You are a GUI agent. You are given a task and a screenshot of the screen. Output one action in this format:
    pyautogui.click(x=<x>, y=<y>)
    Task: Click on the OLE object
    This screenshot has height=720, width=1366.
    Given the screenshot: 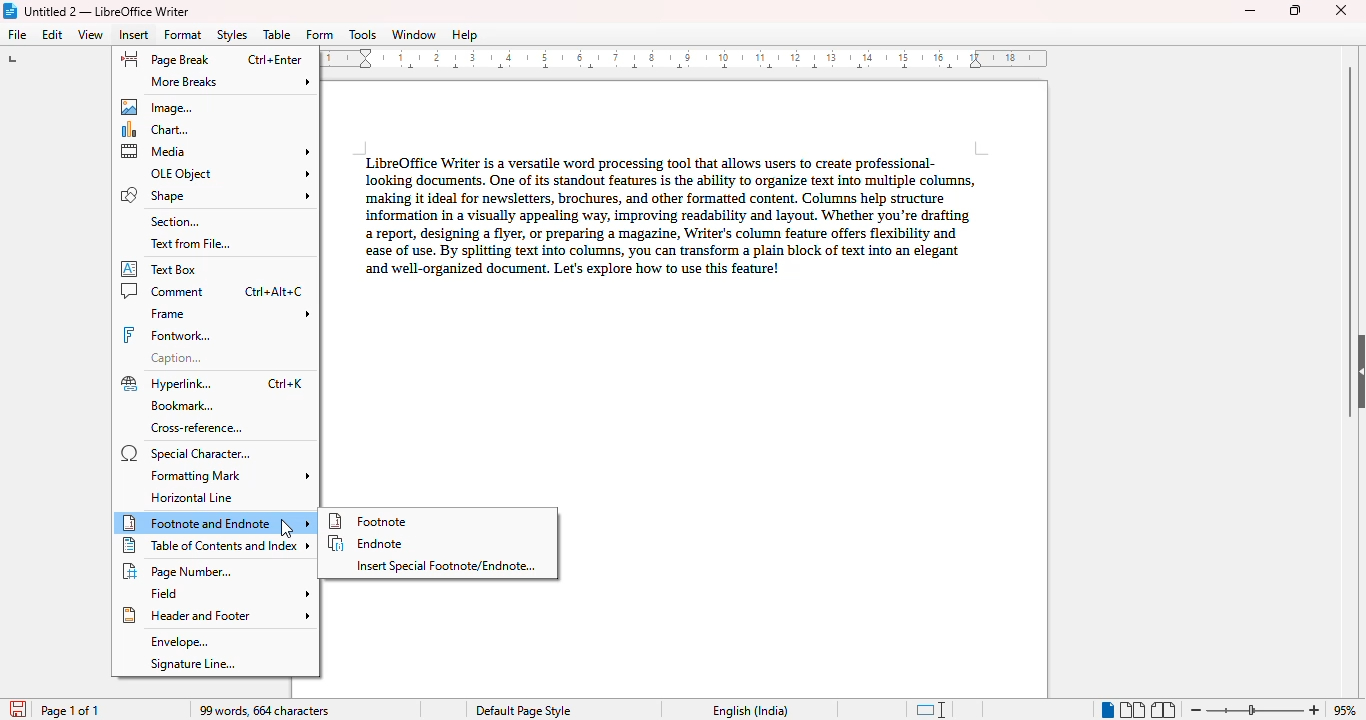 What is the action you would take?
    pyautogui.click(x=228, y=174)
    